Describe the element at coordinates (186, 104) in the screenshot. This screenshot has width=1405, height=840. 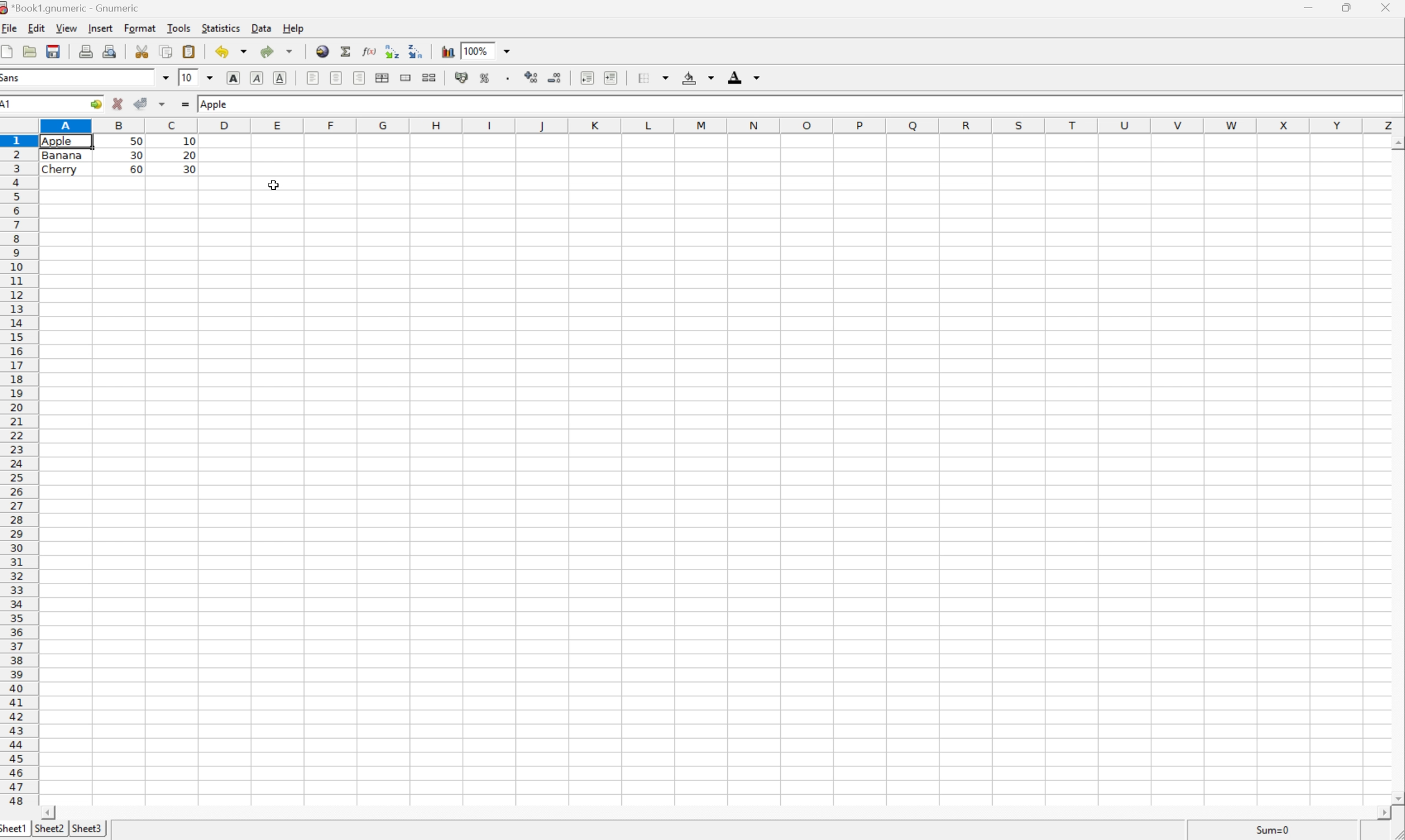
I see `enter formula` at that location.